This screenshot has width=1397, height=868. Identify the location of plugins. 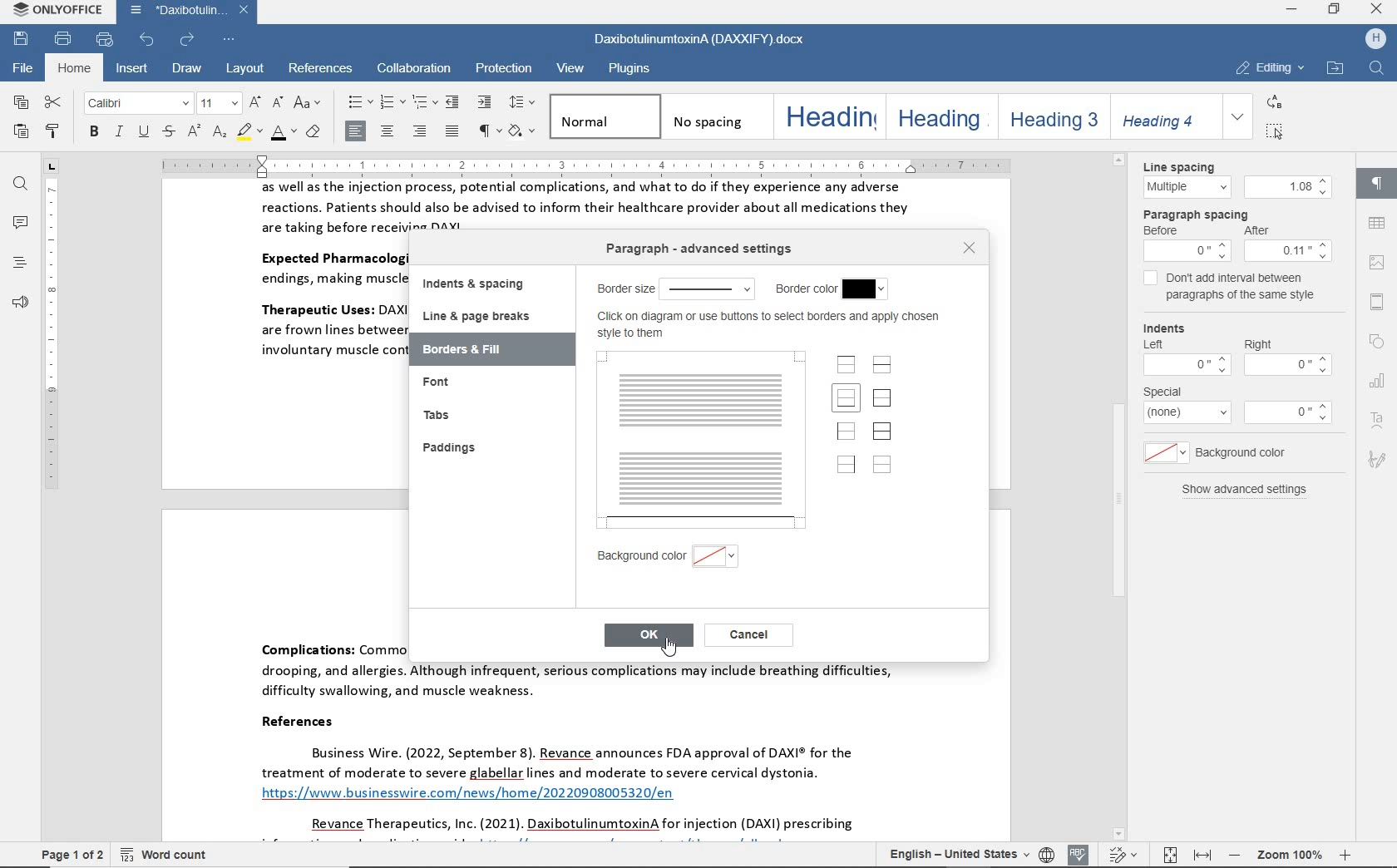
(632, 69).